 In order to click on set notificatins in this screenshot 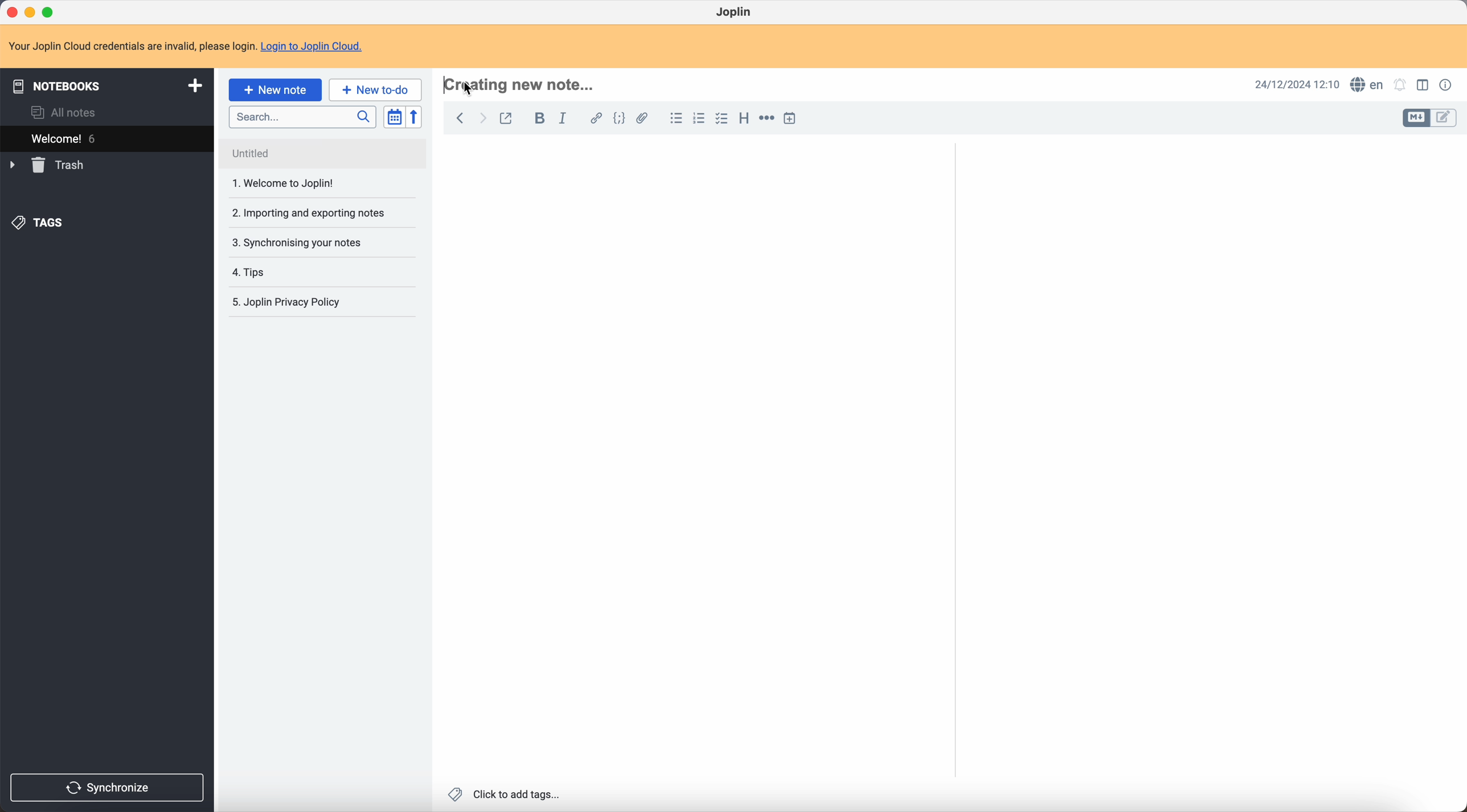, I will do `click(1400, 86)`.